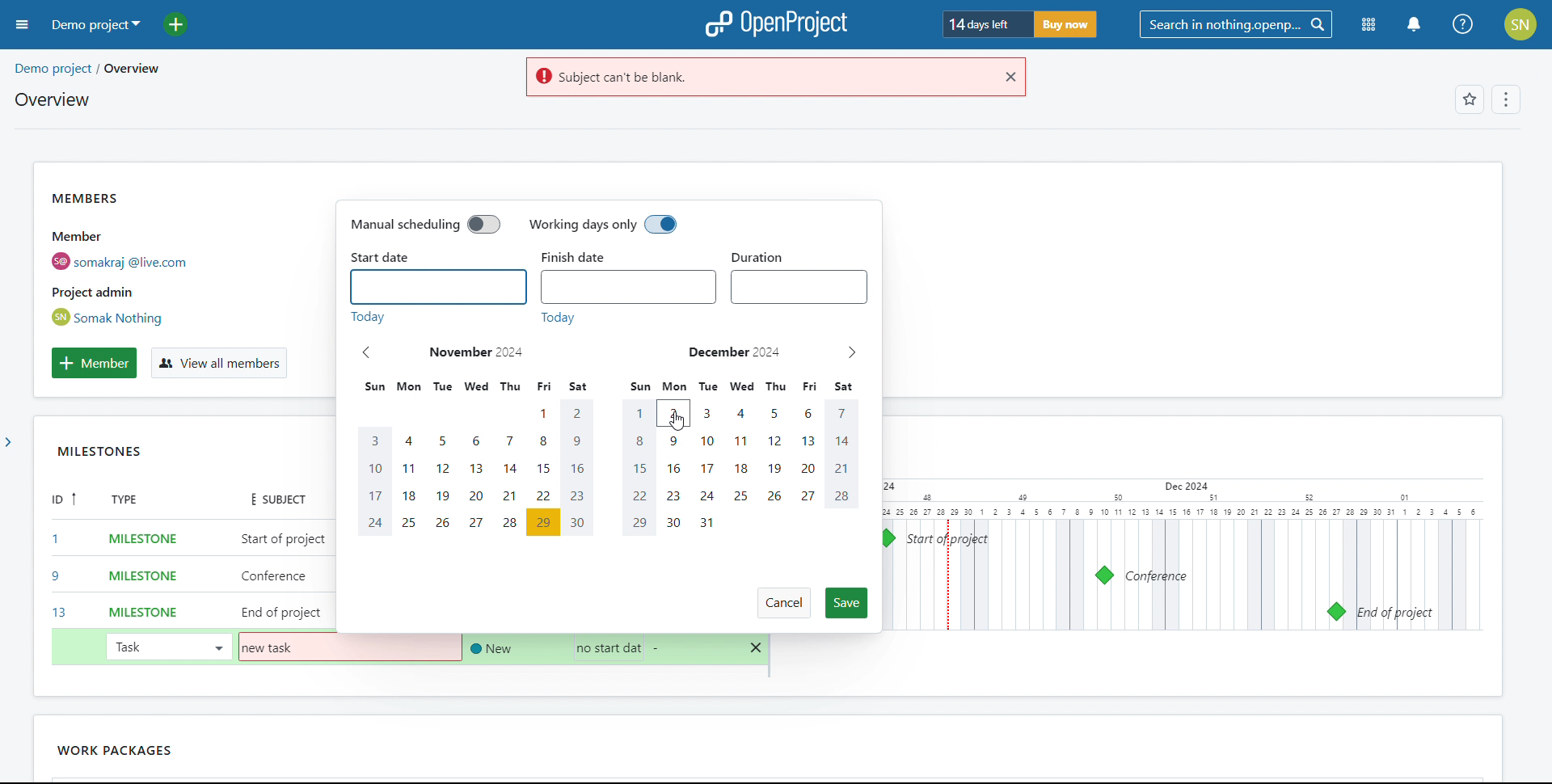 This screenshot has width=1552, height=784. What do you see at coordinates (1540, 213) in the screenshot?
I see `scroll bar` at bounding box center [1540, 213].